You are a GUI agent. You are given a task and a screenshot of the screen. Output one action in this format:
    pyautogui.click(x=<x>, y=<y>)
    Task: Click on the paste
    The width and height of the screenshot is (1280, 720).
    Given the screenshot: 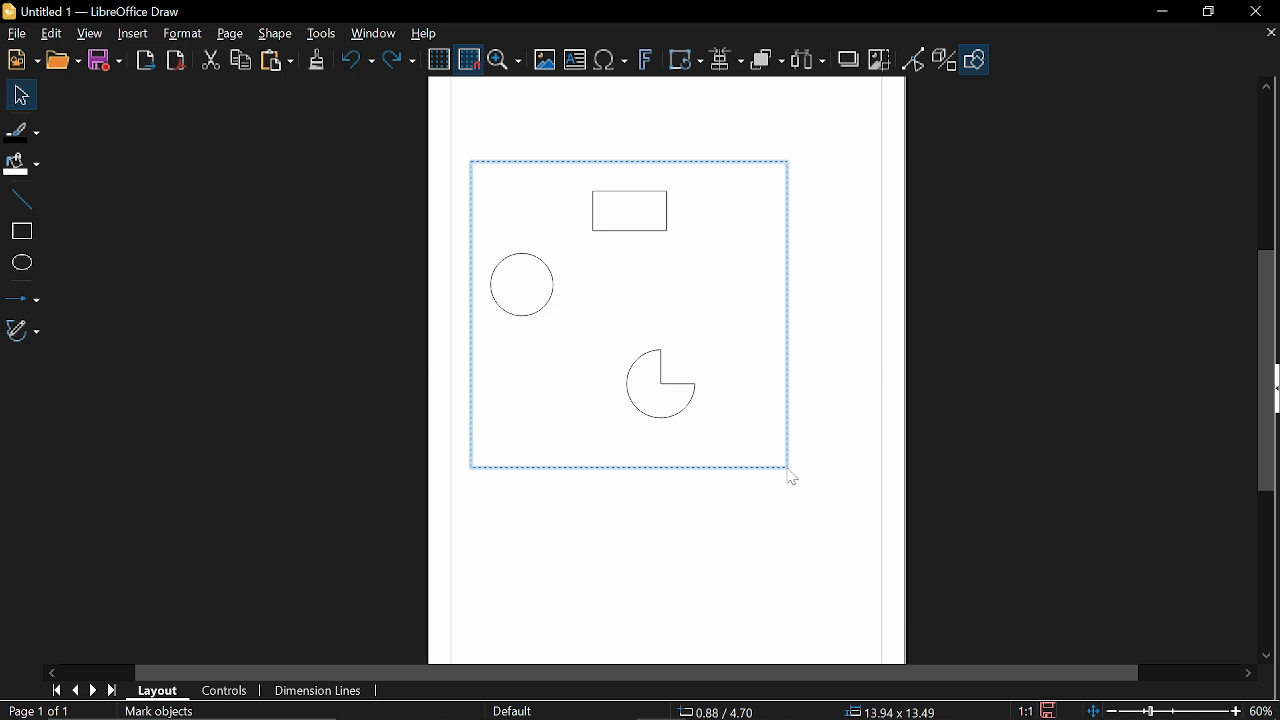 What is the action you would take?
    pyautogui.click(x=278, y=61)
    